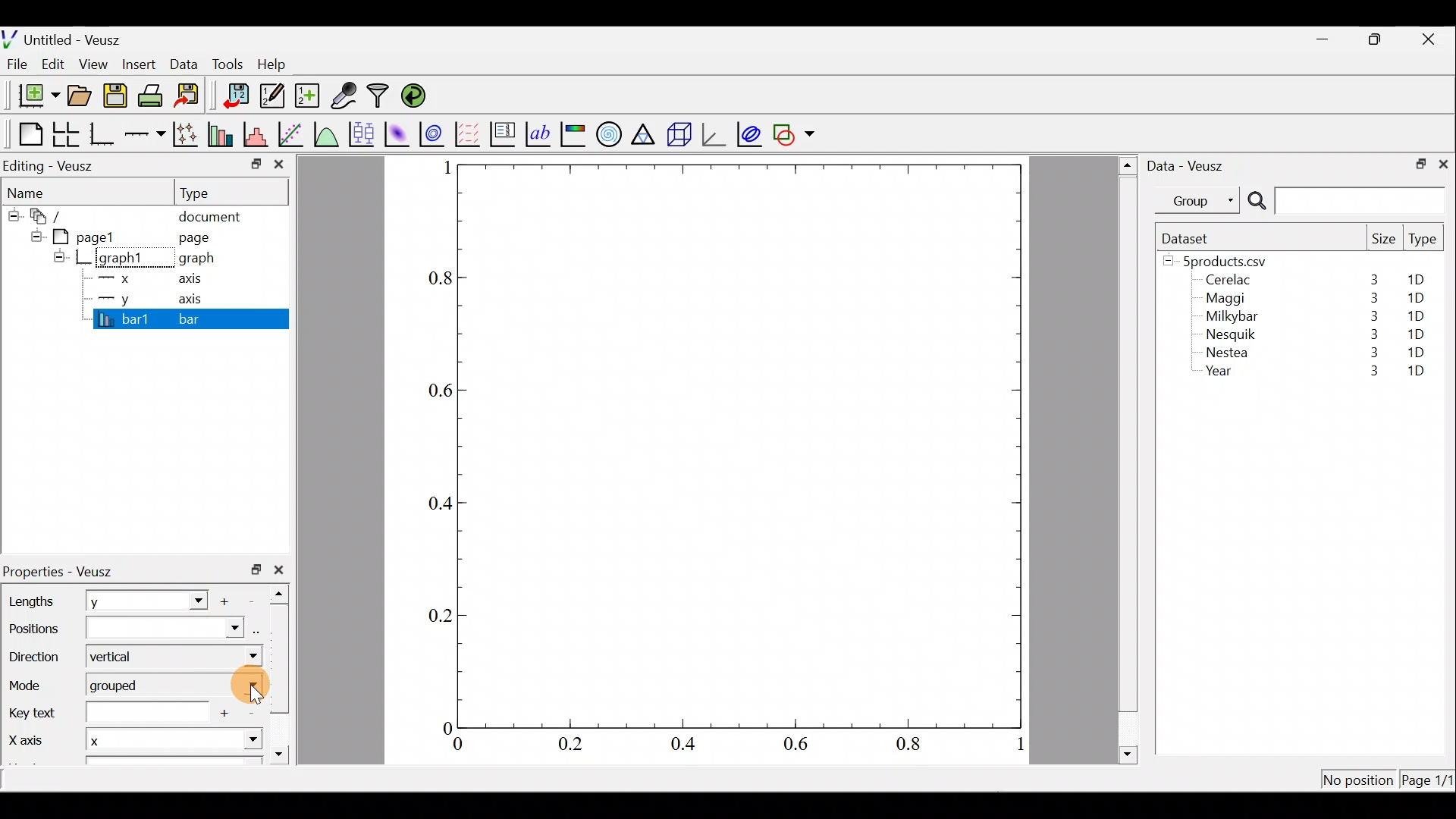  What do you see at coordinates (292, 133) in the screenshot?
I see `Fit a function to data` at bounding box center [292, 133].